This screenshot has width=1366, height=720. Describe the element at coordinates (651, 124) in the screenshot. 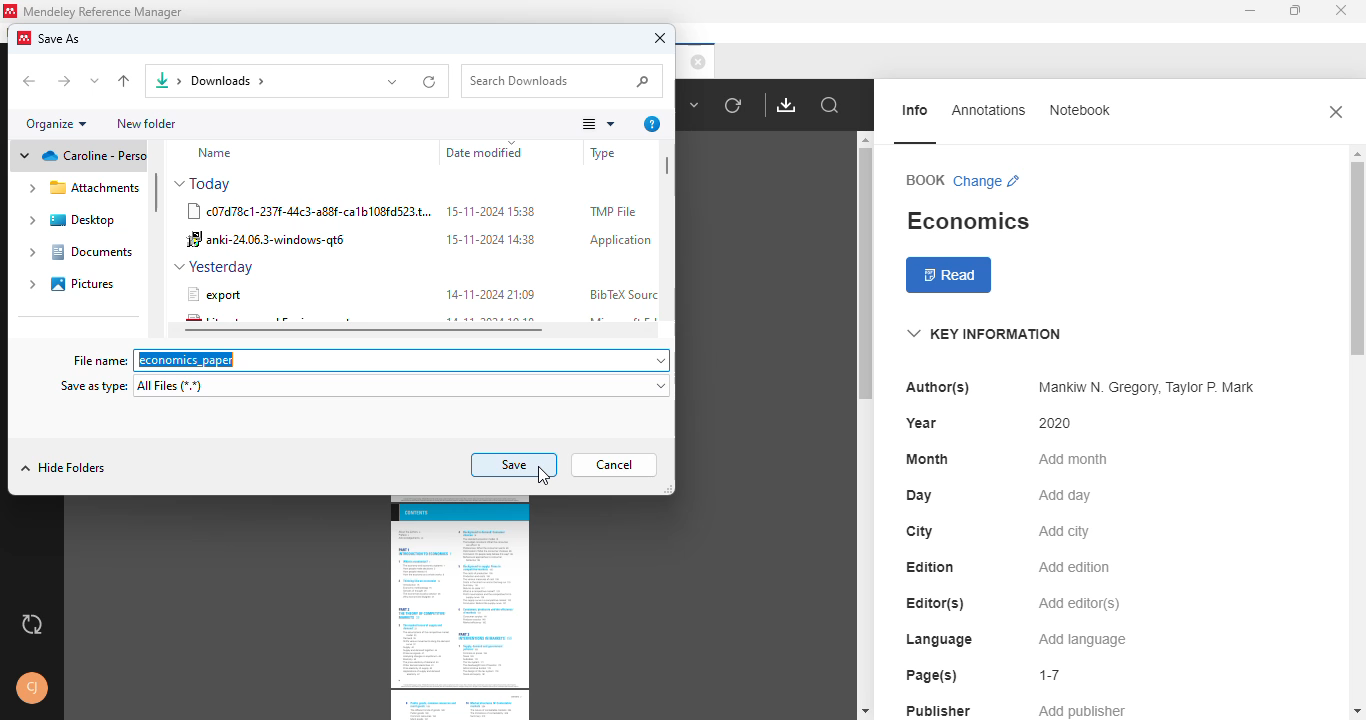

I see `get help` at that location.